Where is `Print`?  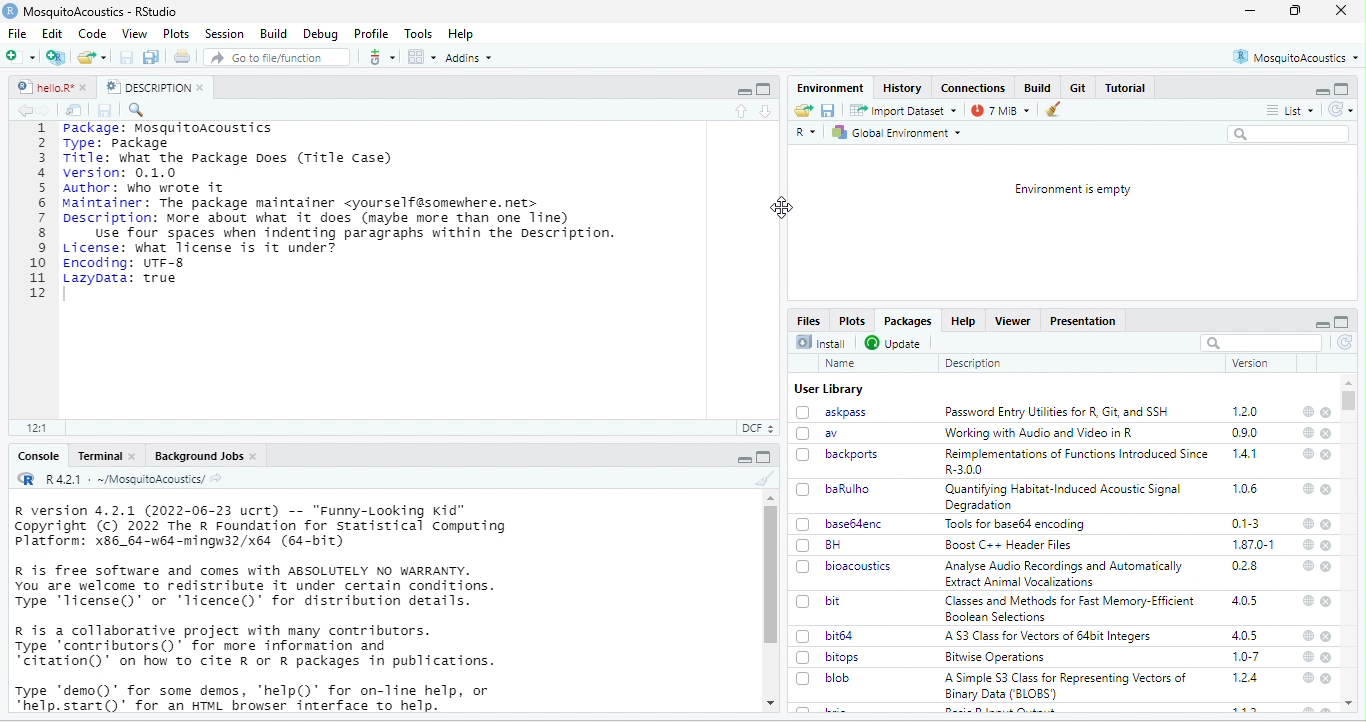 Print is located at coordinates (183, 56).